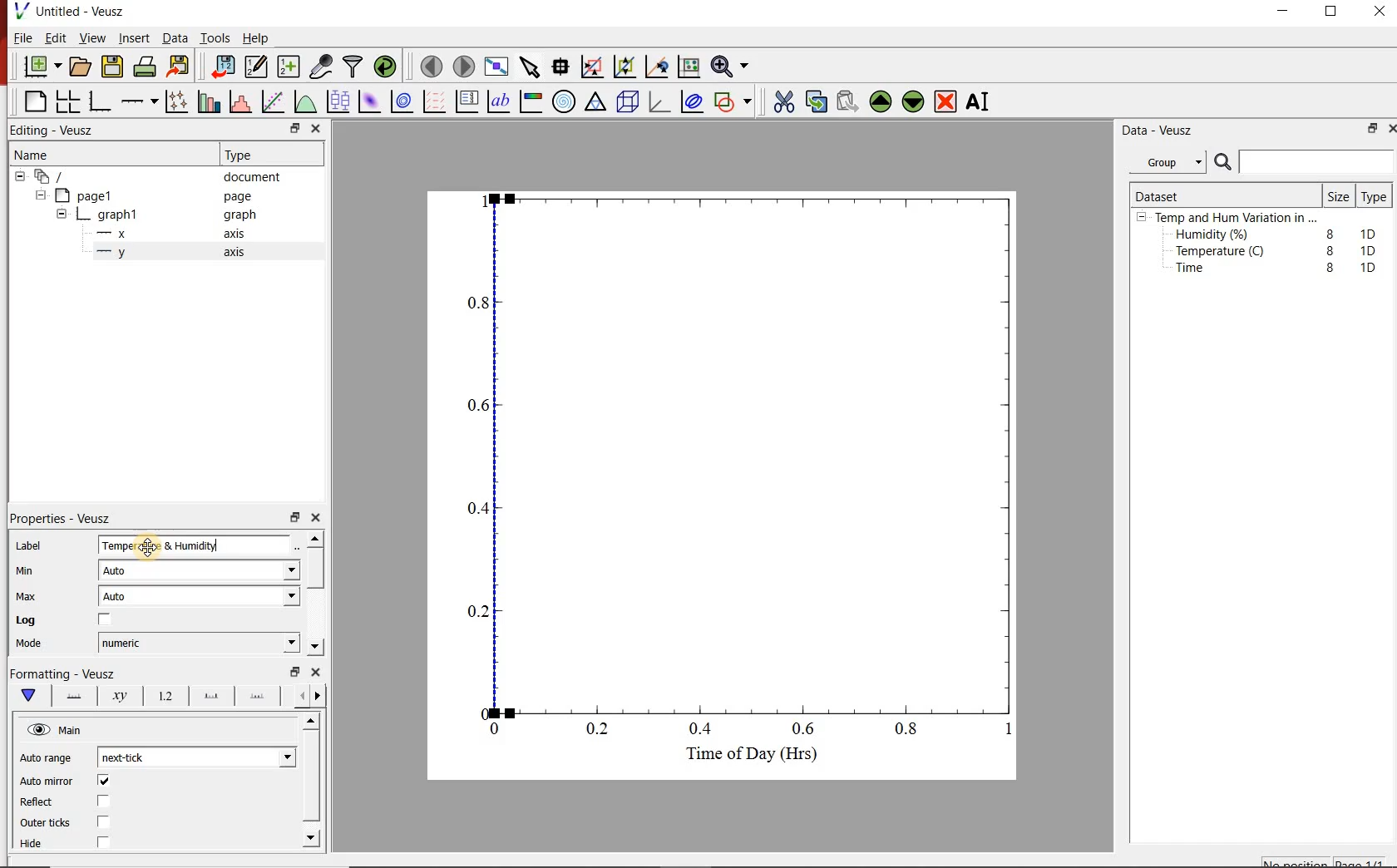 The height and width of the screenshot is (868, 1397). What do you see at coordinates (1142, 219) in the screenshot?
I see `hide sub menu` at bounding box center [1142, 219].